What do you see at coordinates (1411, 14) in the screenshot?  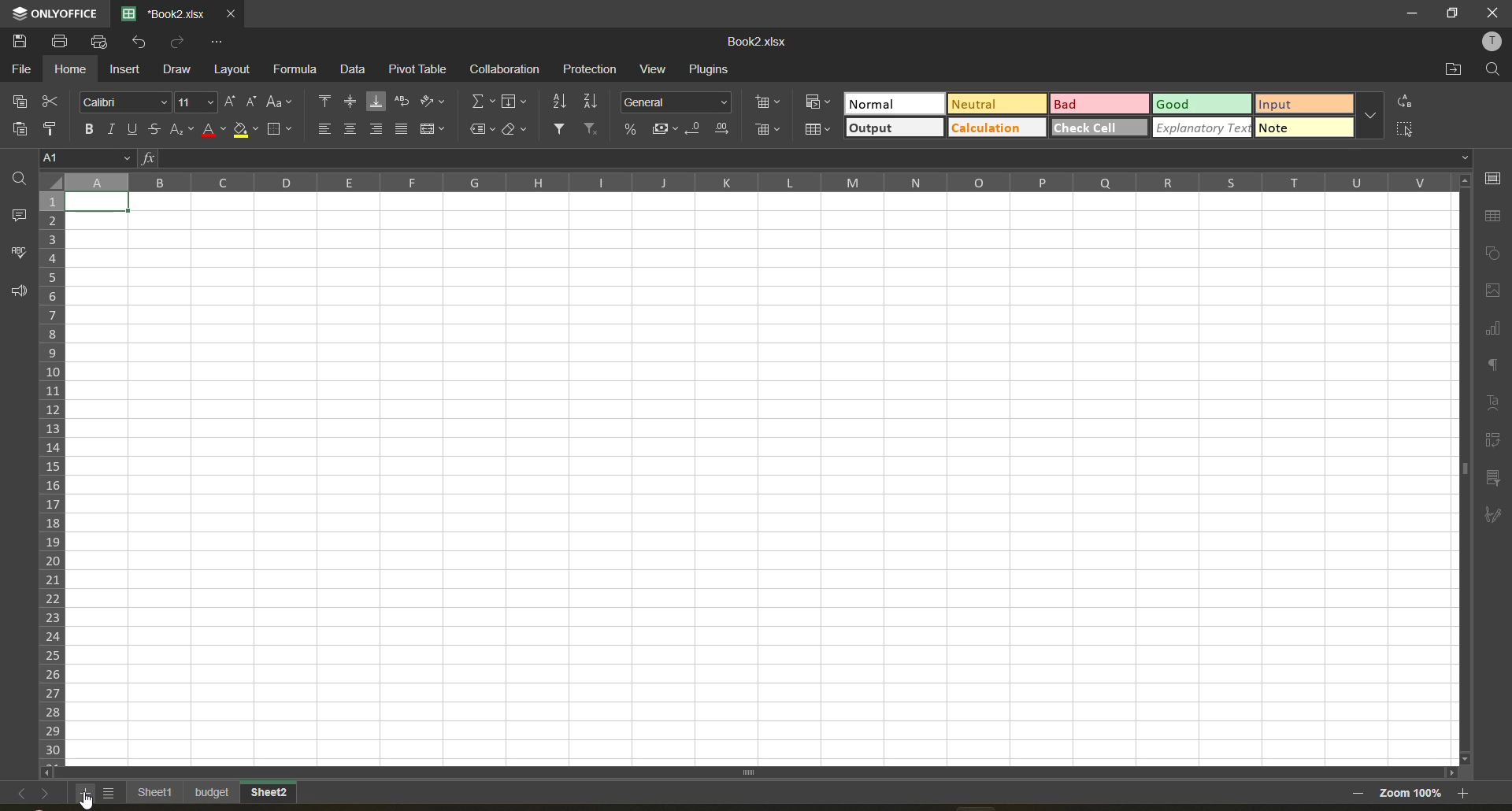 I see `minimize` at bounding box center [1411, 14].